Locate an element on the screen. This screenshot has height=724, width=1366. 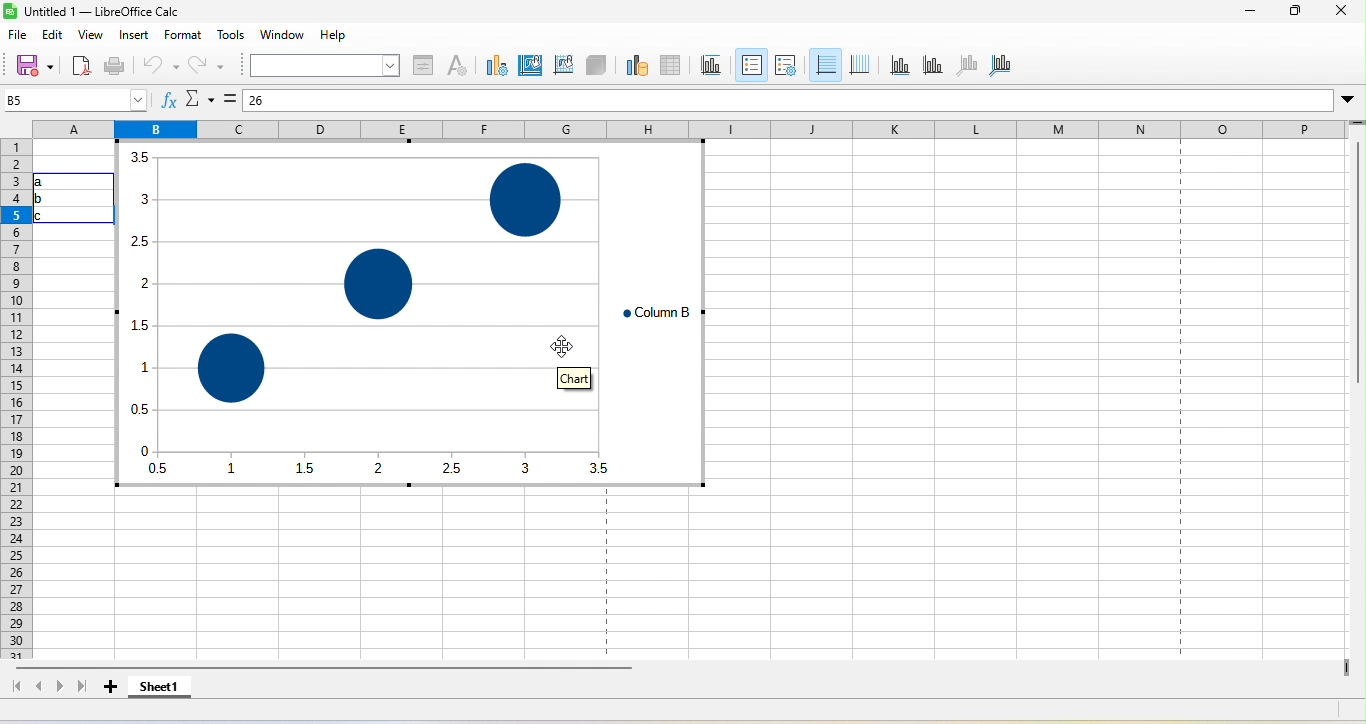
next sheet is located at coordinates (61, 691).